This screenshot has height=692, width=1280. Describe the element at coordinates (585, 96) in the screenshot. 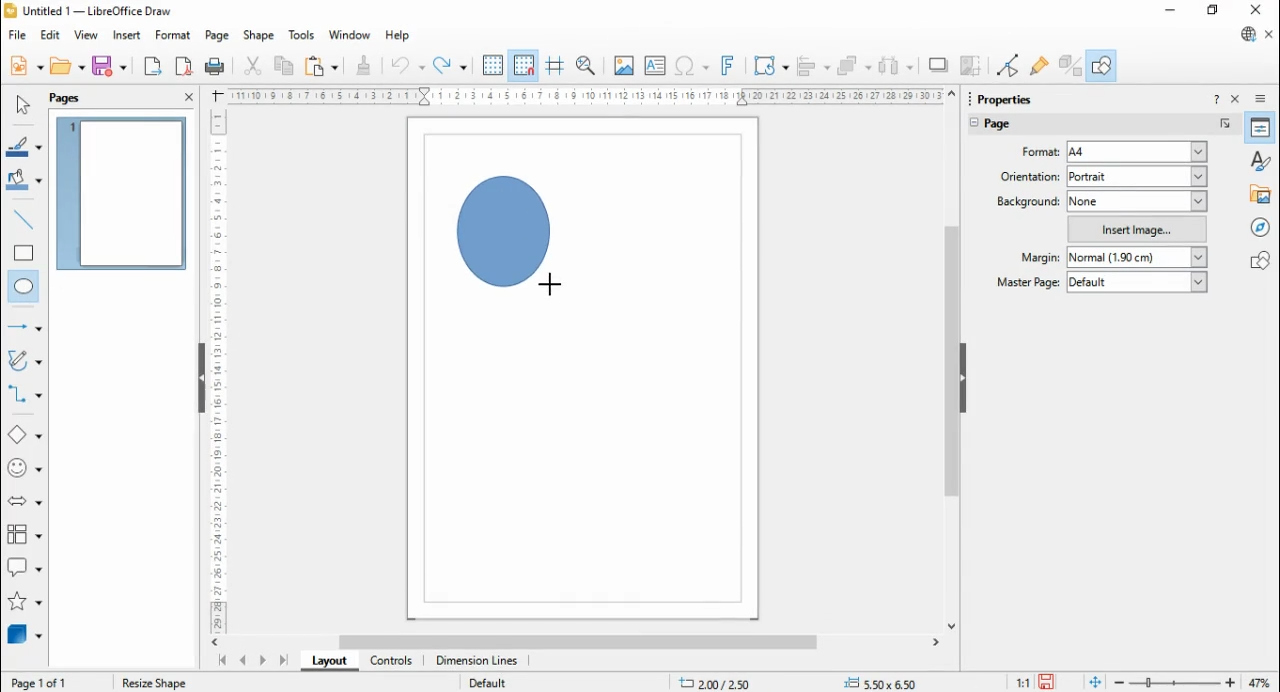

I see `Scale` at that location.